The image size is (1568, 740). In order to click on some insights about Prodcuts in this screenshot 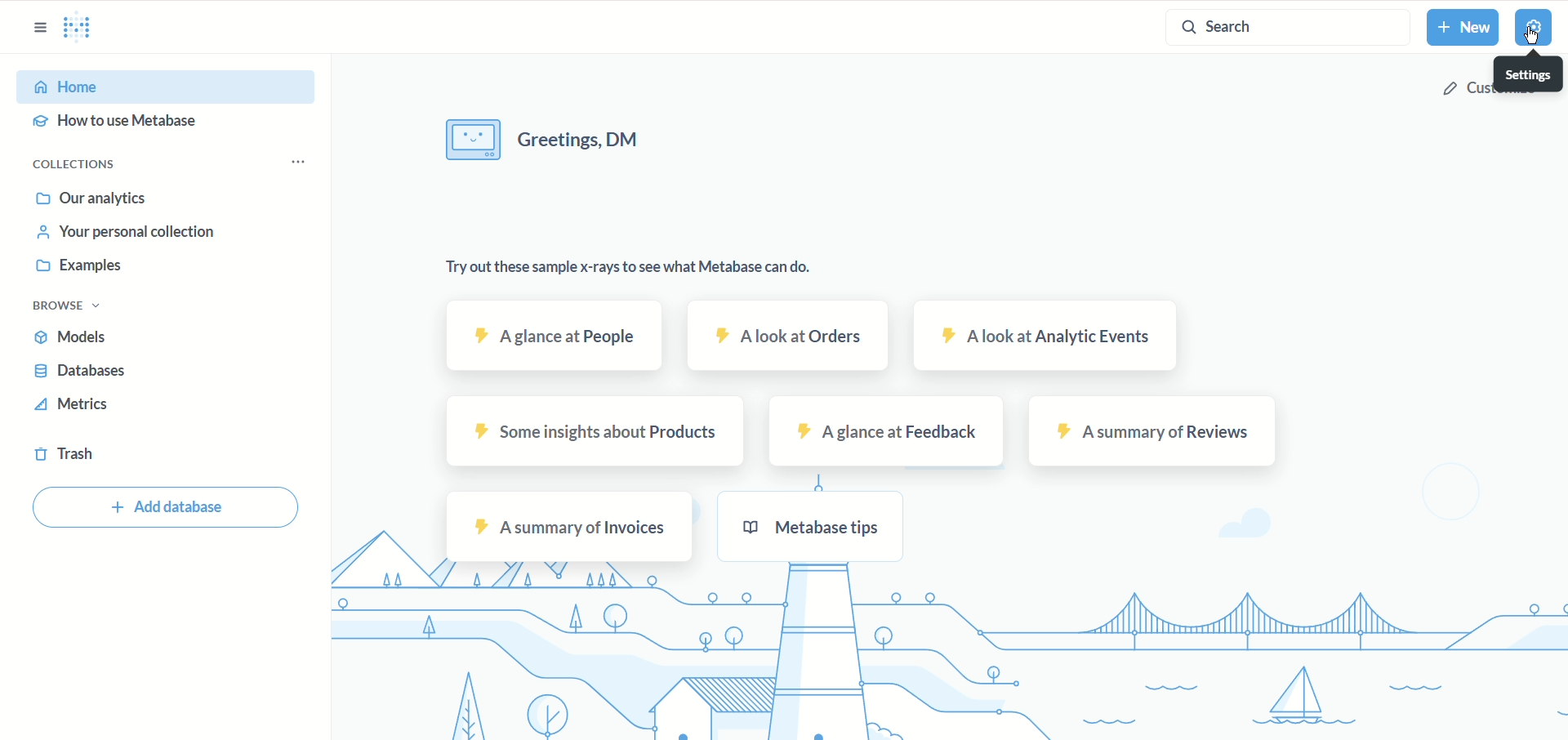, I will do `click(586, 431)`.